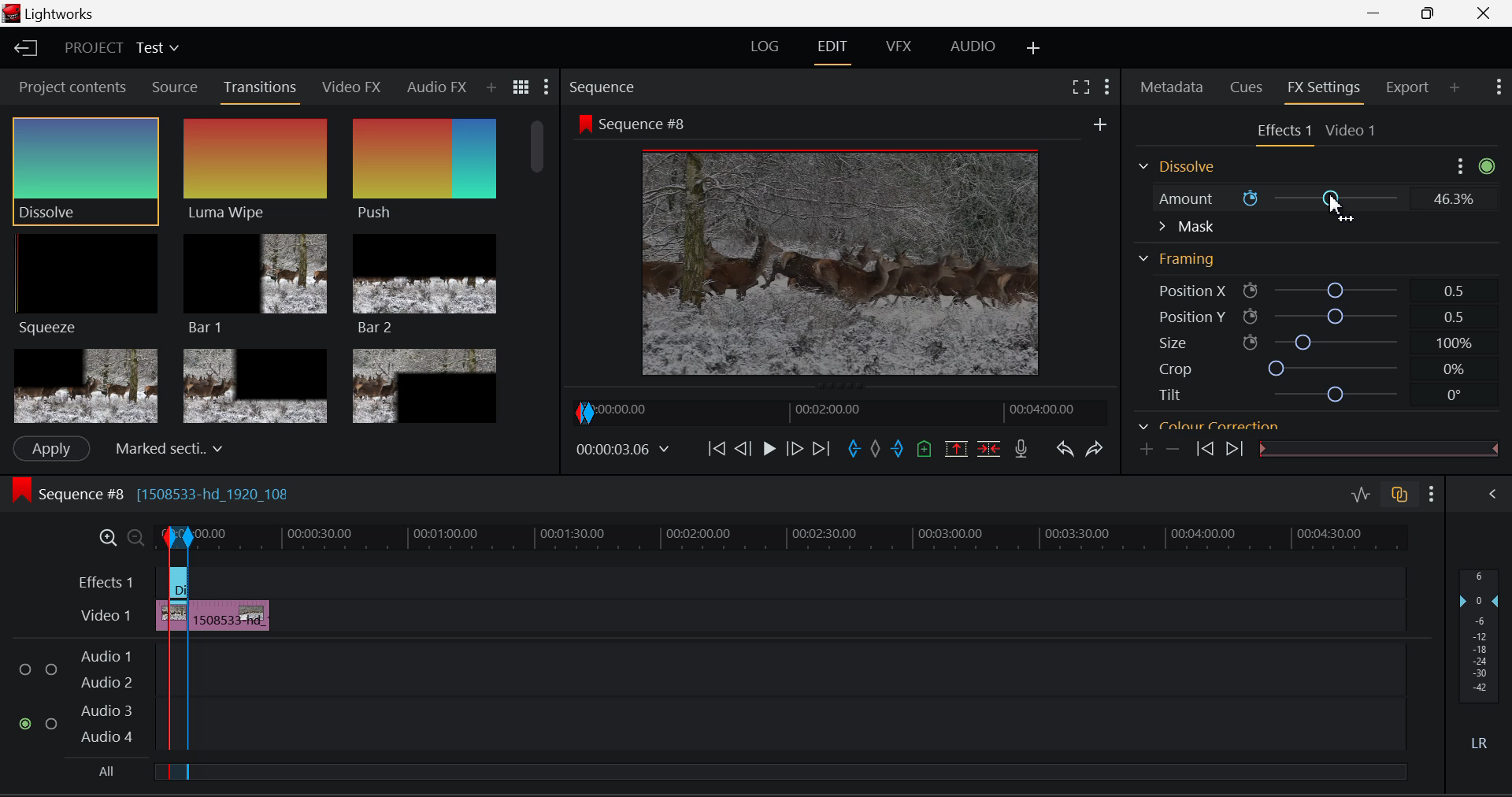  I want to click on Dissolve Section, so click(1181, 168).